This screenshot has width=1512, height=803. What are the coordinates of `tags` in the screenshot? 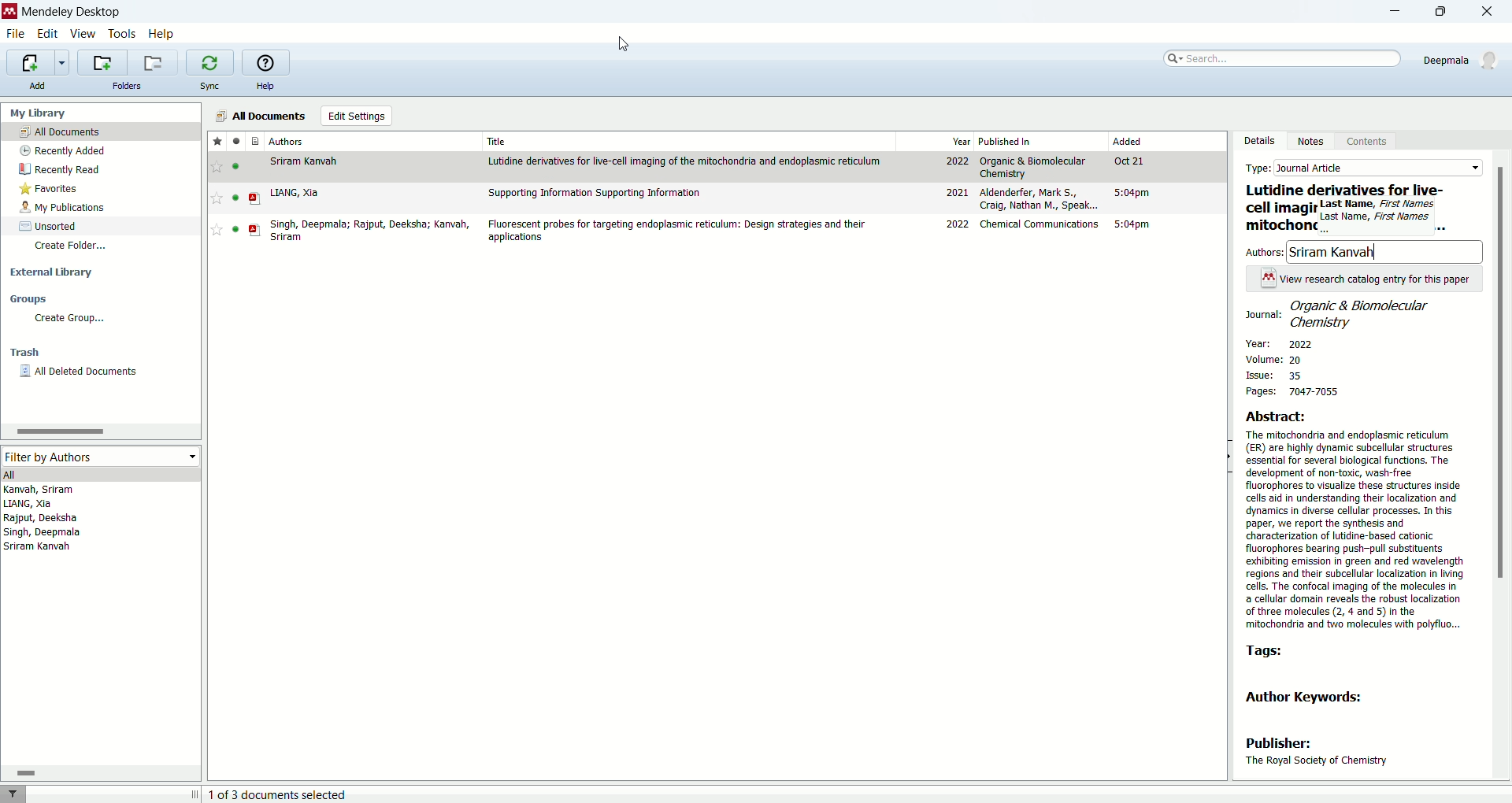 It's located at (1266, 652).